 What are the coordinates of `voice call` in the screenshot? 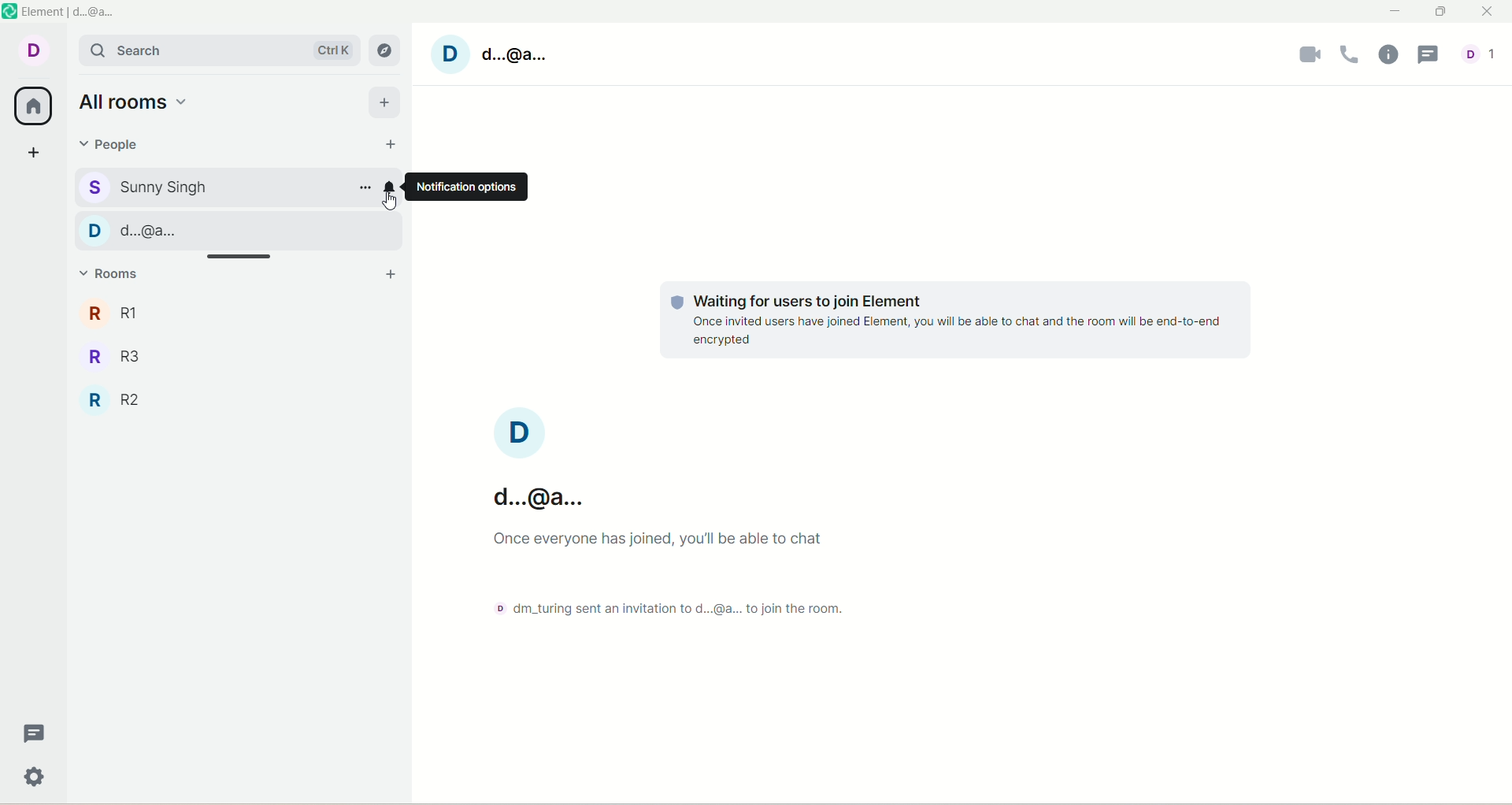 It's located at (1349, 57).